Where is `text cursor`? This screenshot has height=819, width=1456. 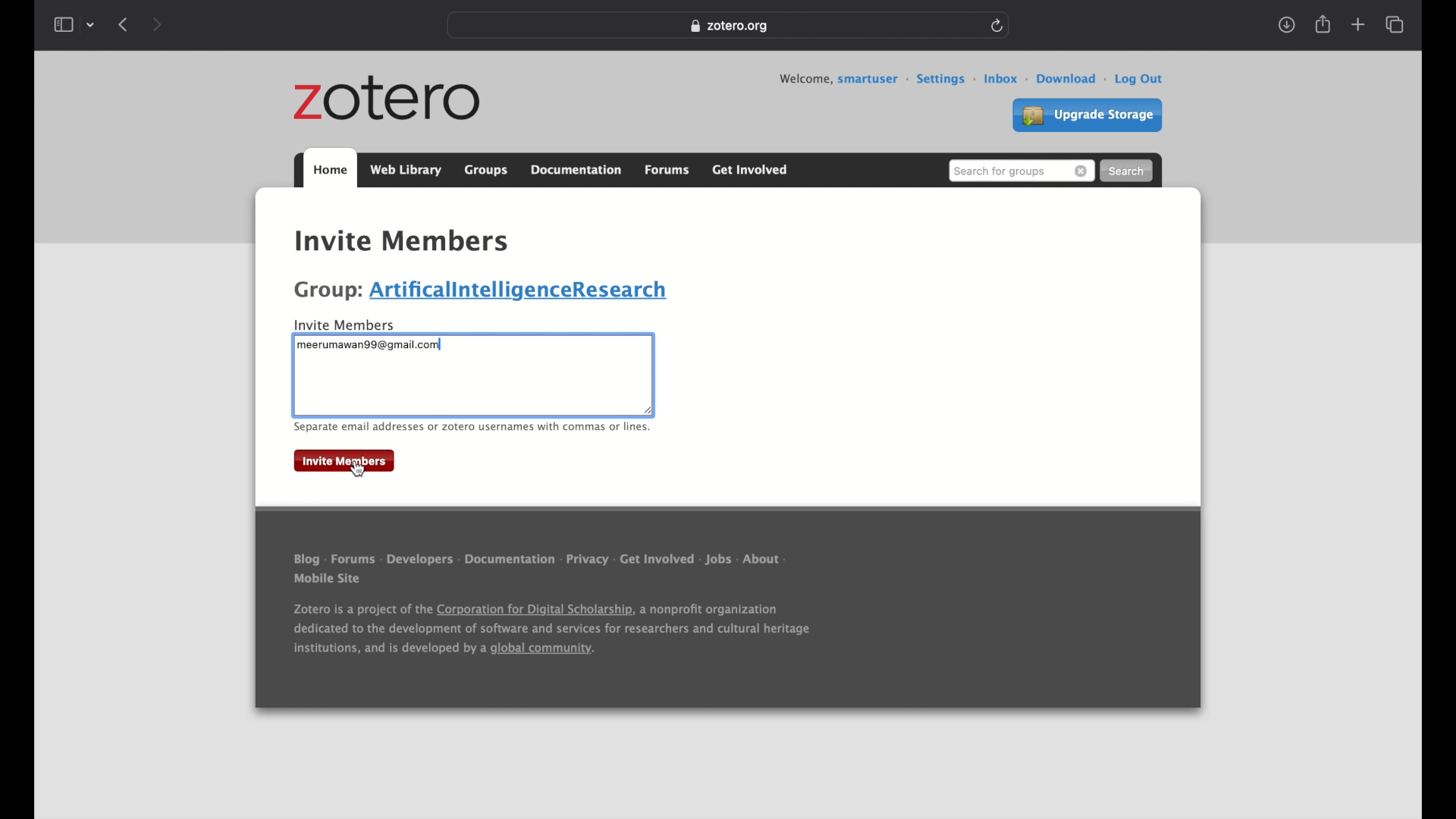 text cursor is located at coordinates (301, 345).